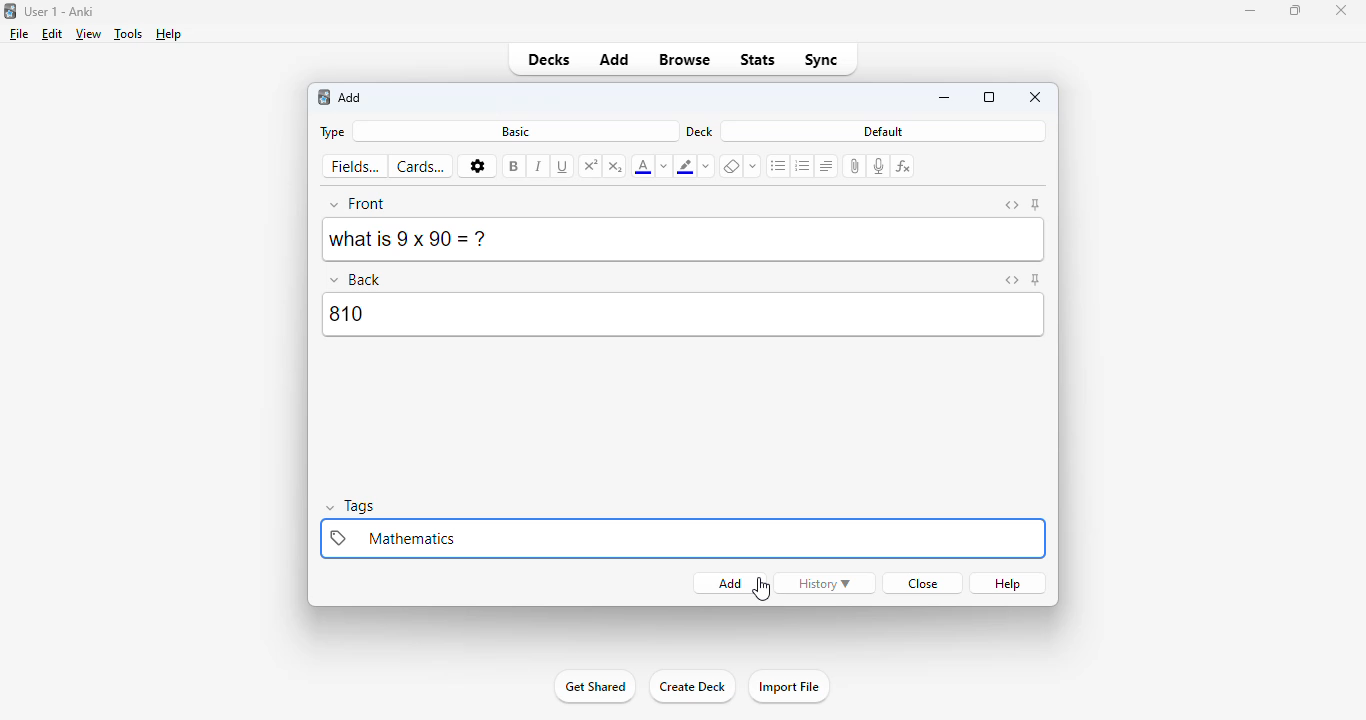 The height and width of the screenshot is (720, 1366). Describe the element at coordinates (700, 131) in the screenshot. I see `deck` at that location.